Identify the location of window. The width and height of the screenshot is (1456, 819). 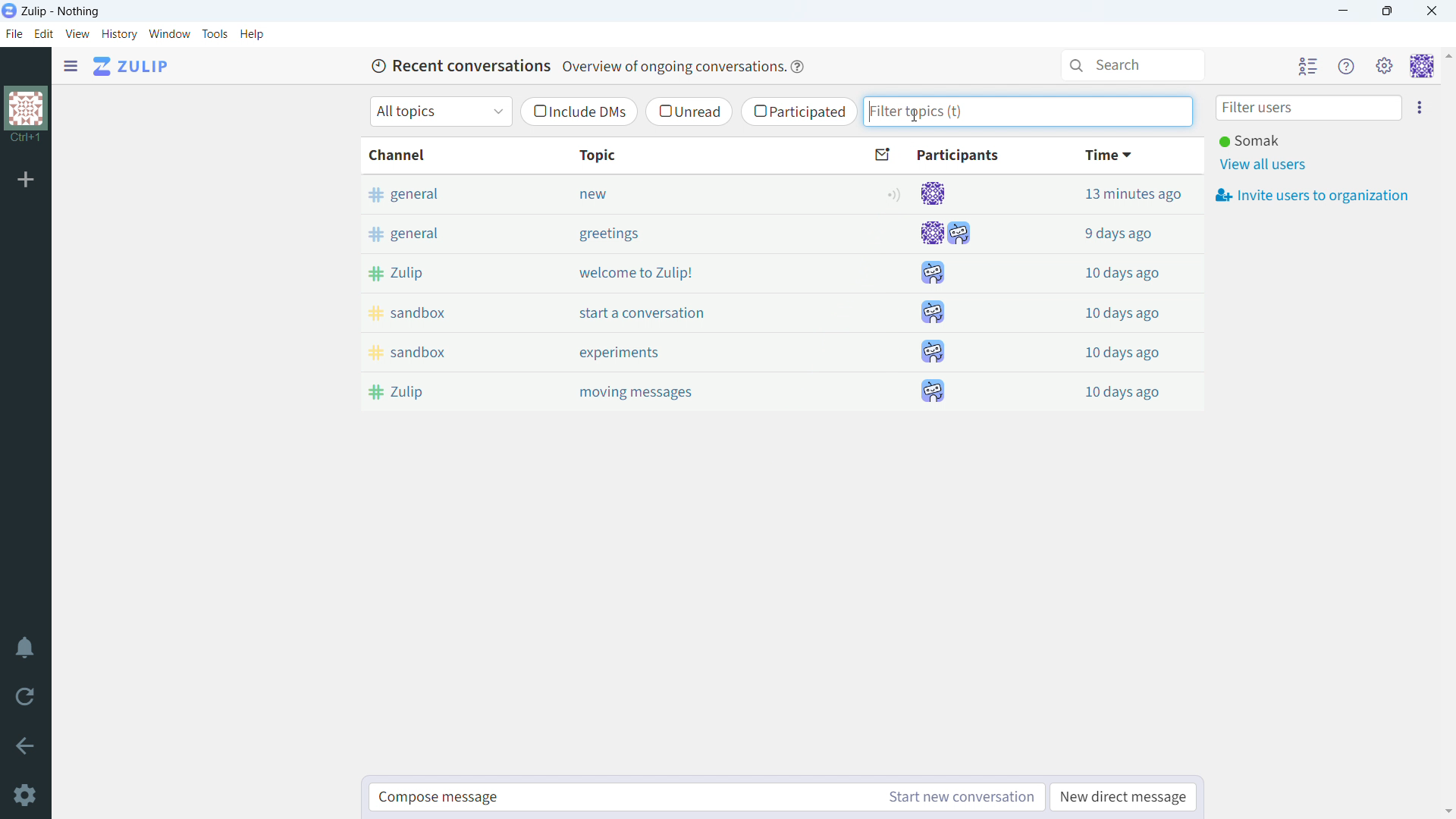
(170, 34).